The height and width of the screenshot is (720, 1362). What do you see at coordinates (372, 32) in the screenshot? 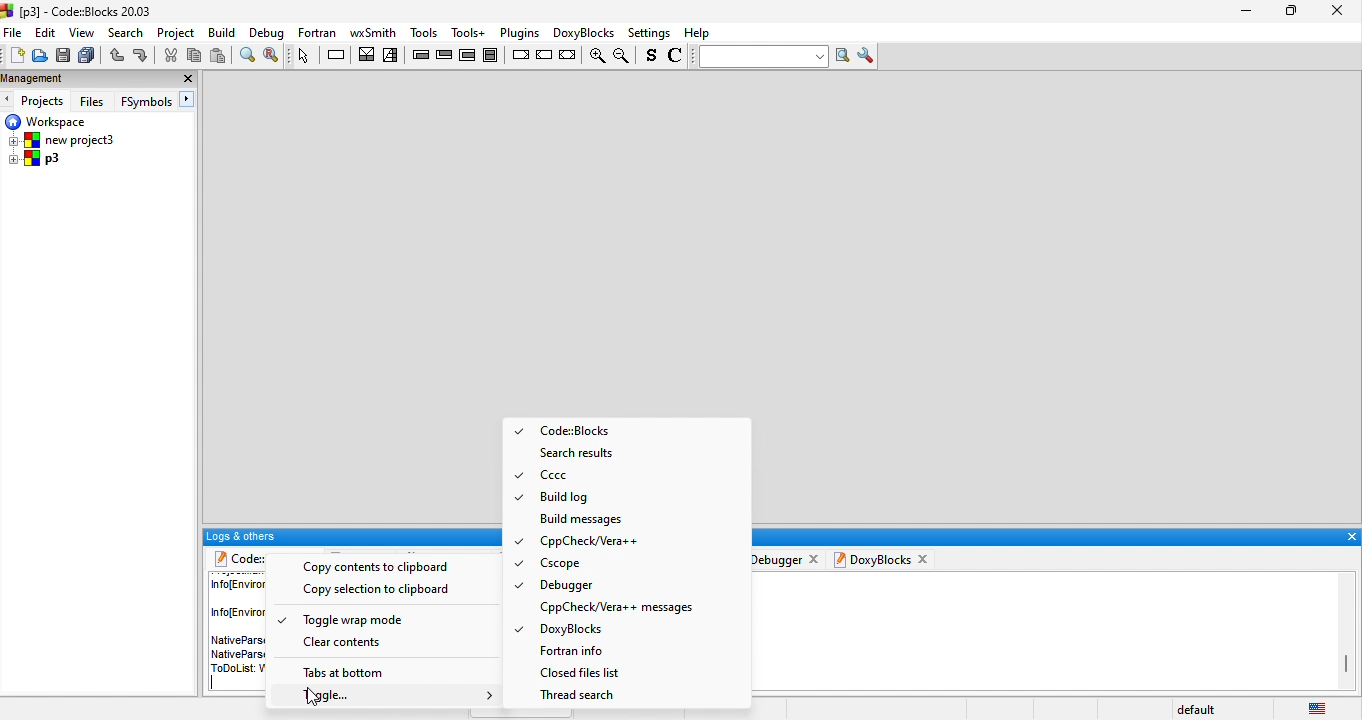
I see `wxsmith` at bounding box center [372, 32].